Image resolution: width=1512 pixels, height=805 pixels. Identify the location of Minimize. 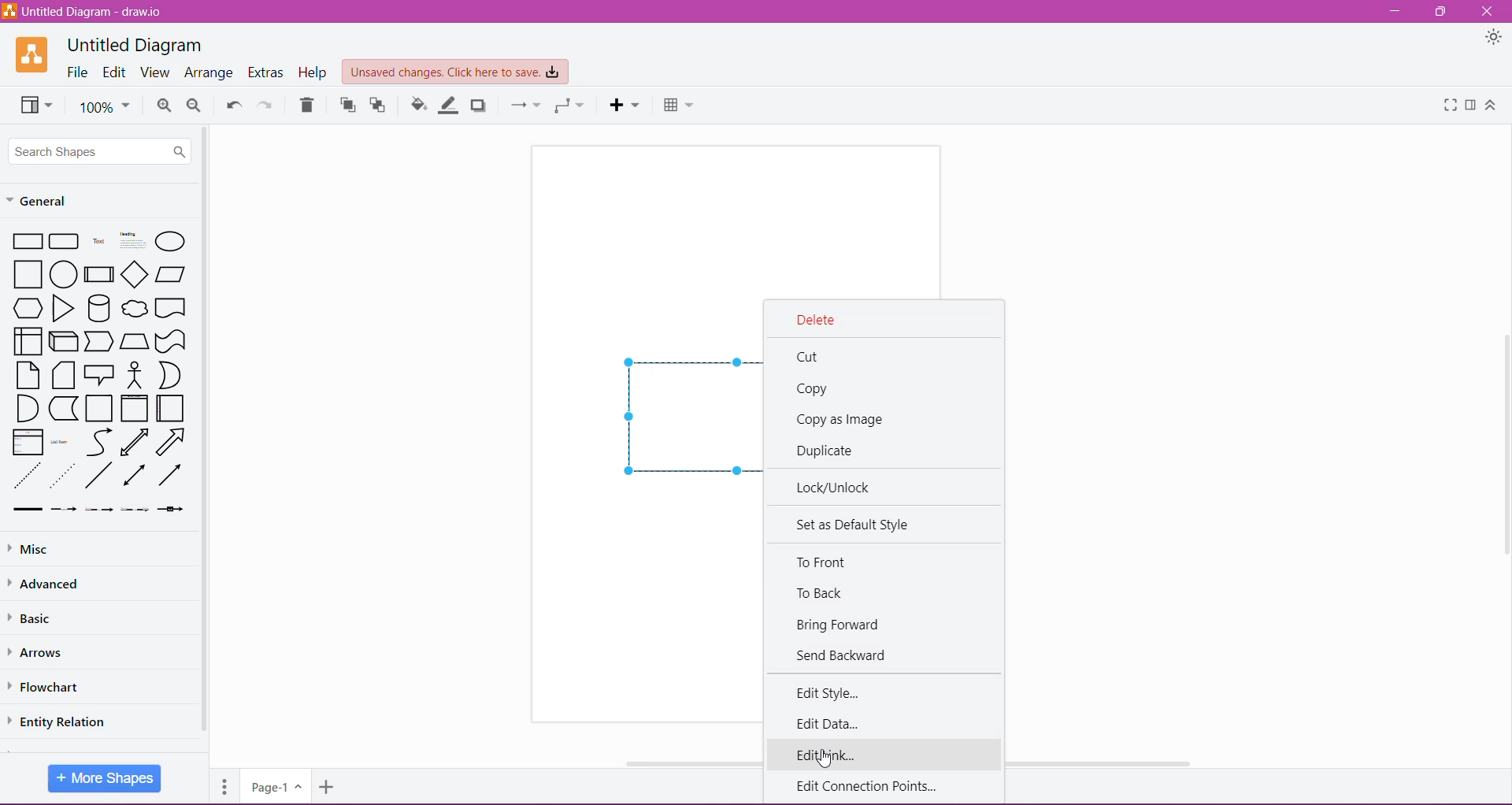
(1399, 11).